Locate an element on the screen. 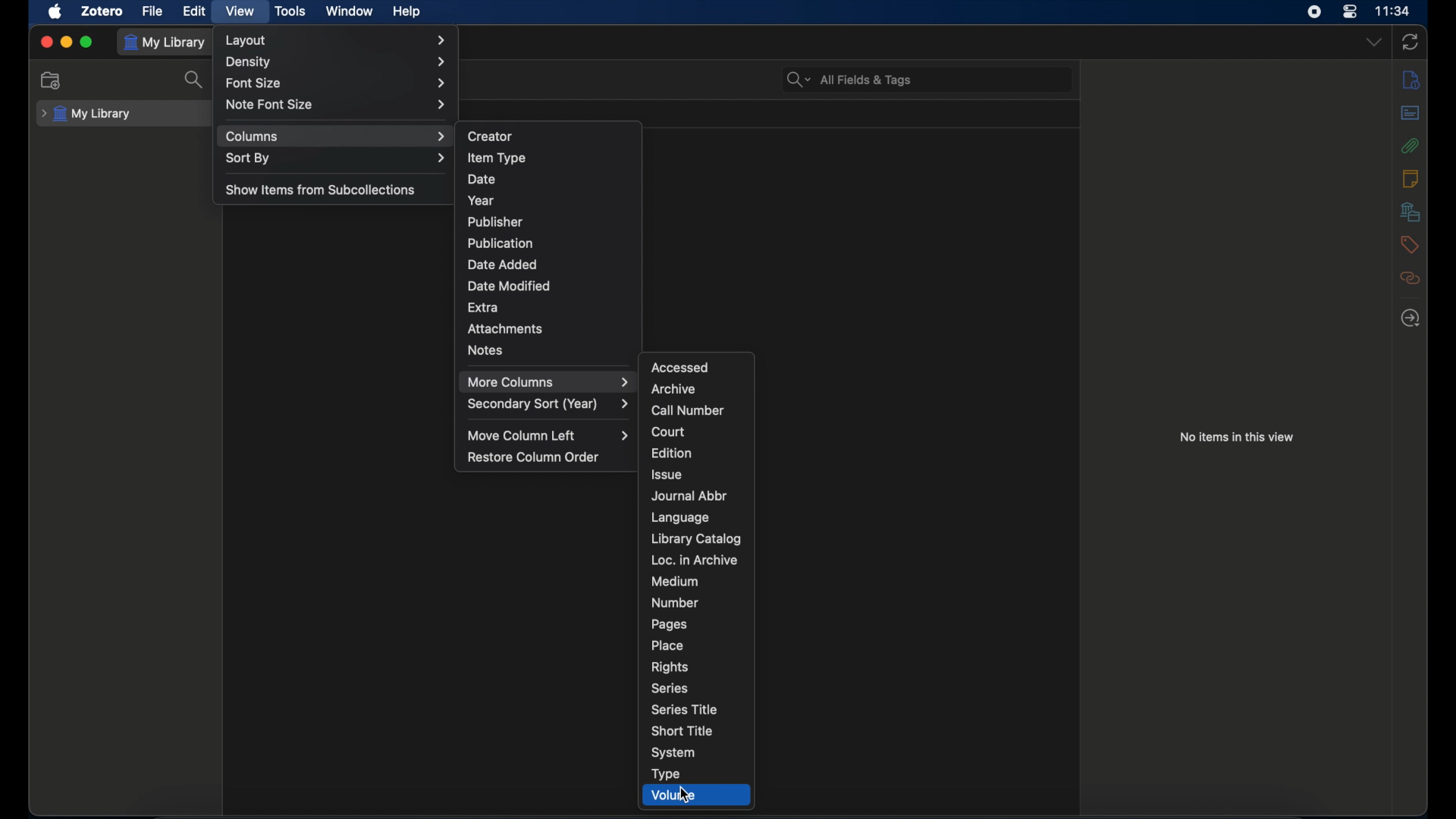  density is located at coordinates (336, 62).